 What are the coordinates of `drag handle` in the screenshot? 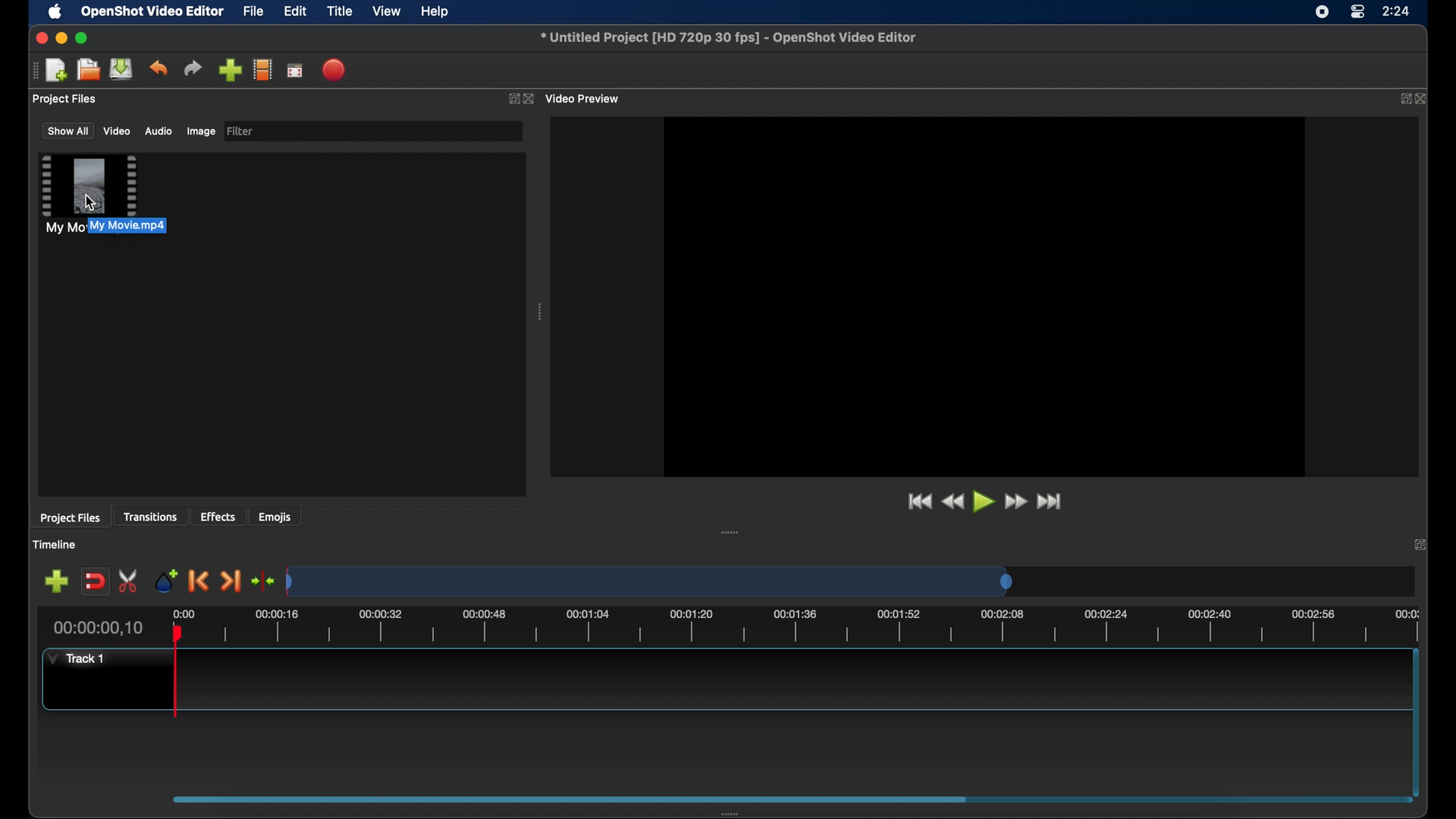 It's located at (33, 71).